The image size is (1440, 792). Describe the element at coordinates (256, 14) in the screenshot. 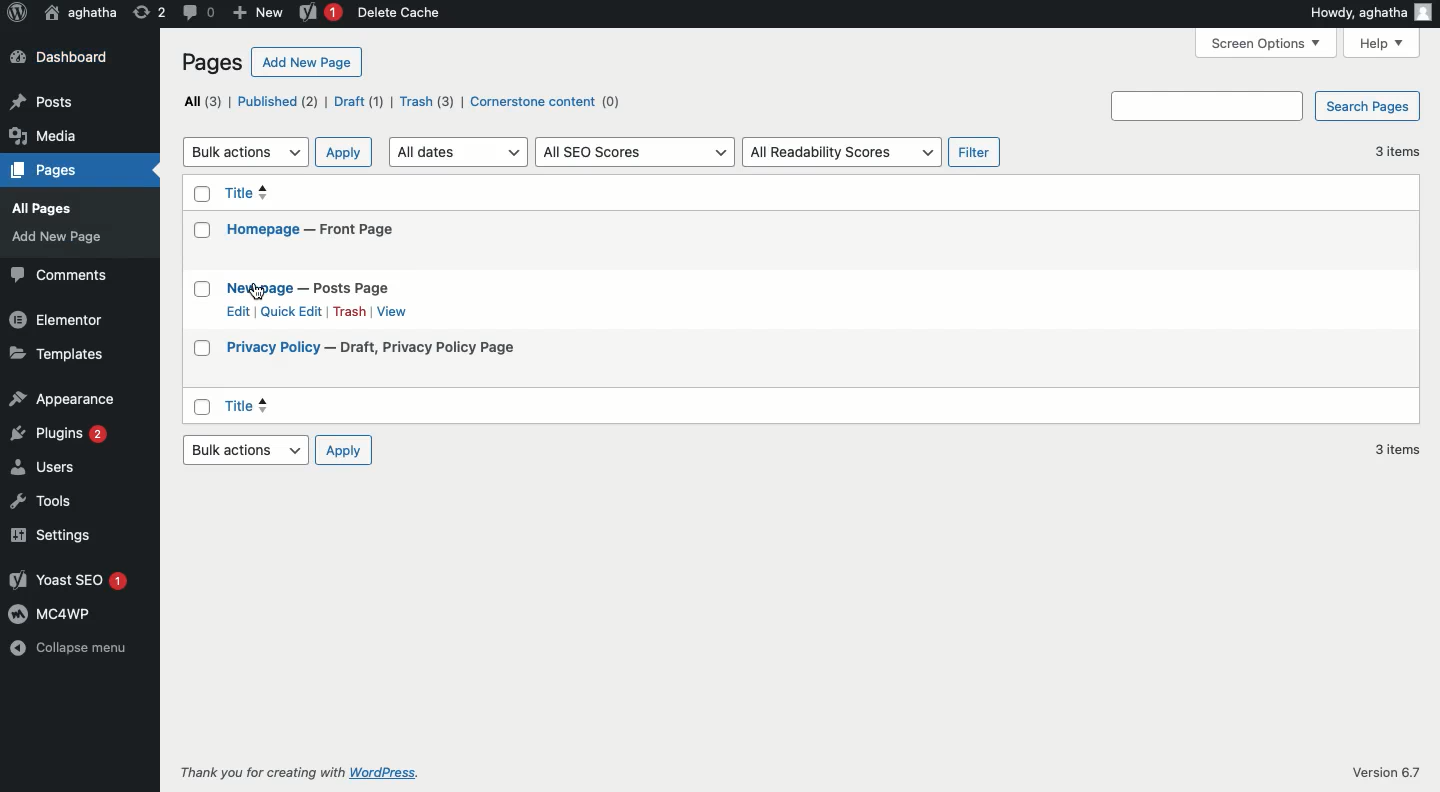

I see `New` at that location.